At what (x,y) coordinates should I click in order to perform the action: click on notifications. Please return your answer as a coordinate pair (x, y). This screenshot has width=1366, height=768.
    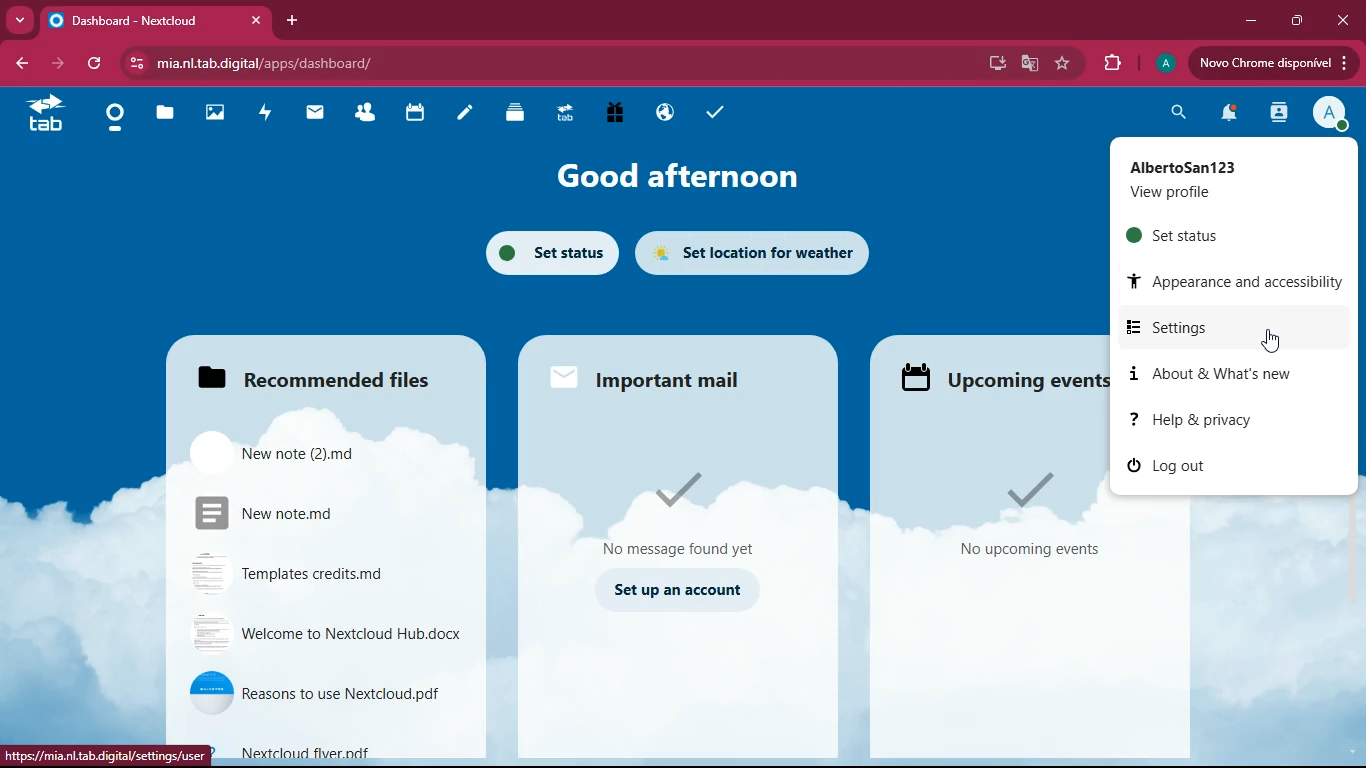
    Looking at the image, I should click on (1229, 115).